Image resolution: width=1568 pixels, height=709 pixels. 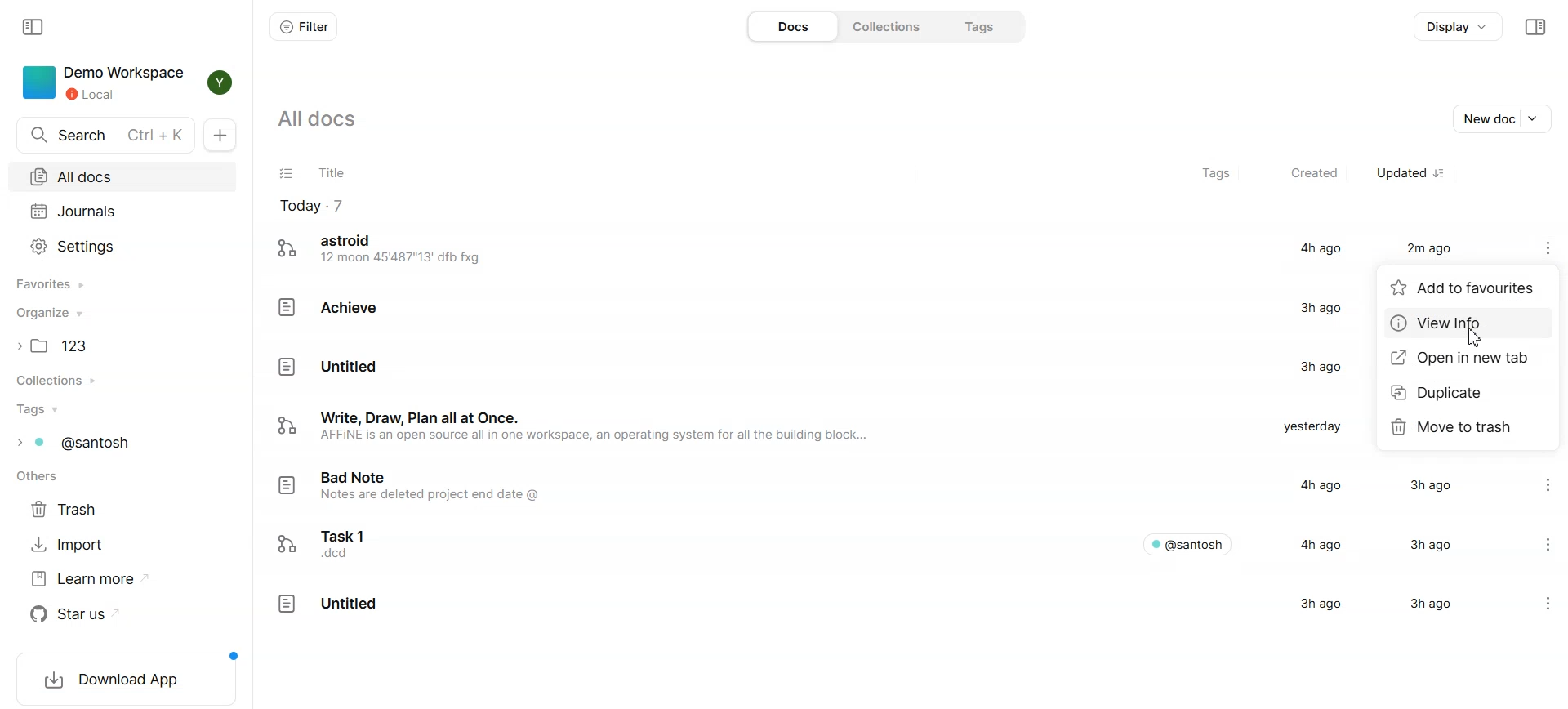 I want to click on Tags, so click(x=122, y=410).